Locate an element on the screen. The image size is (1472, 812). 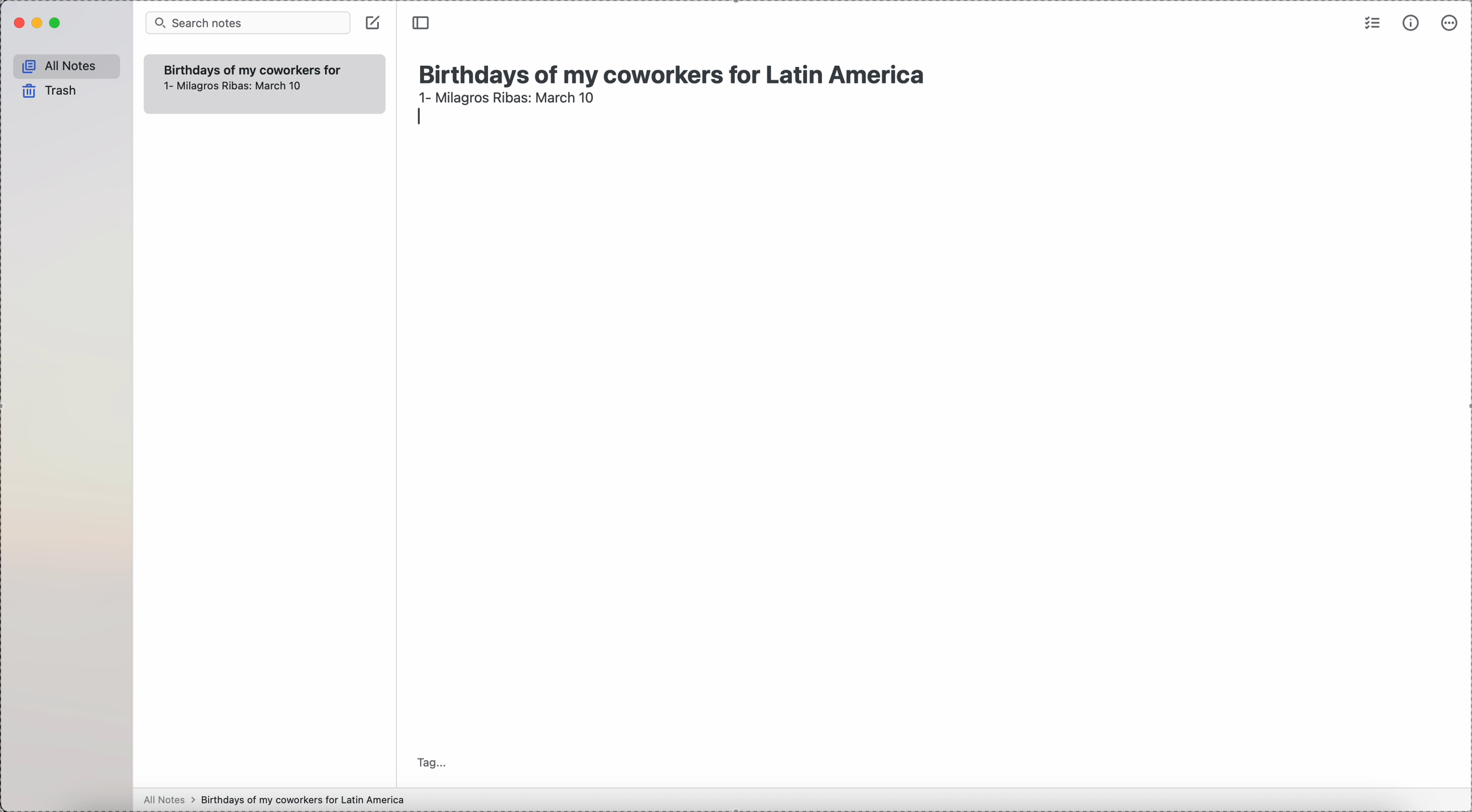
enter is located at coordinates (421, 118).